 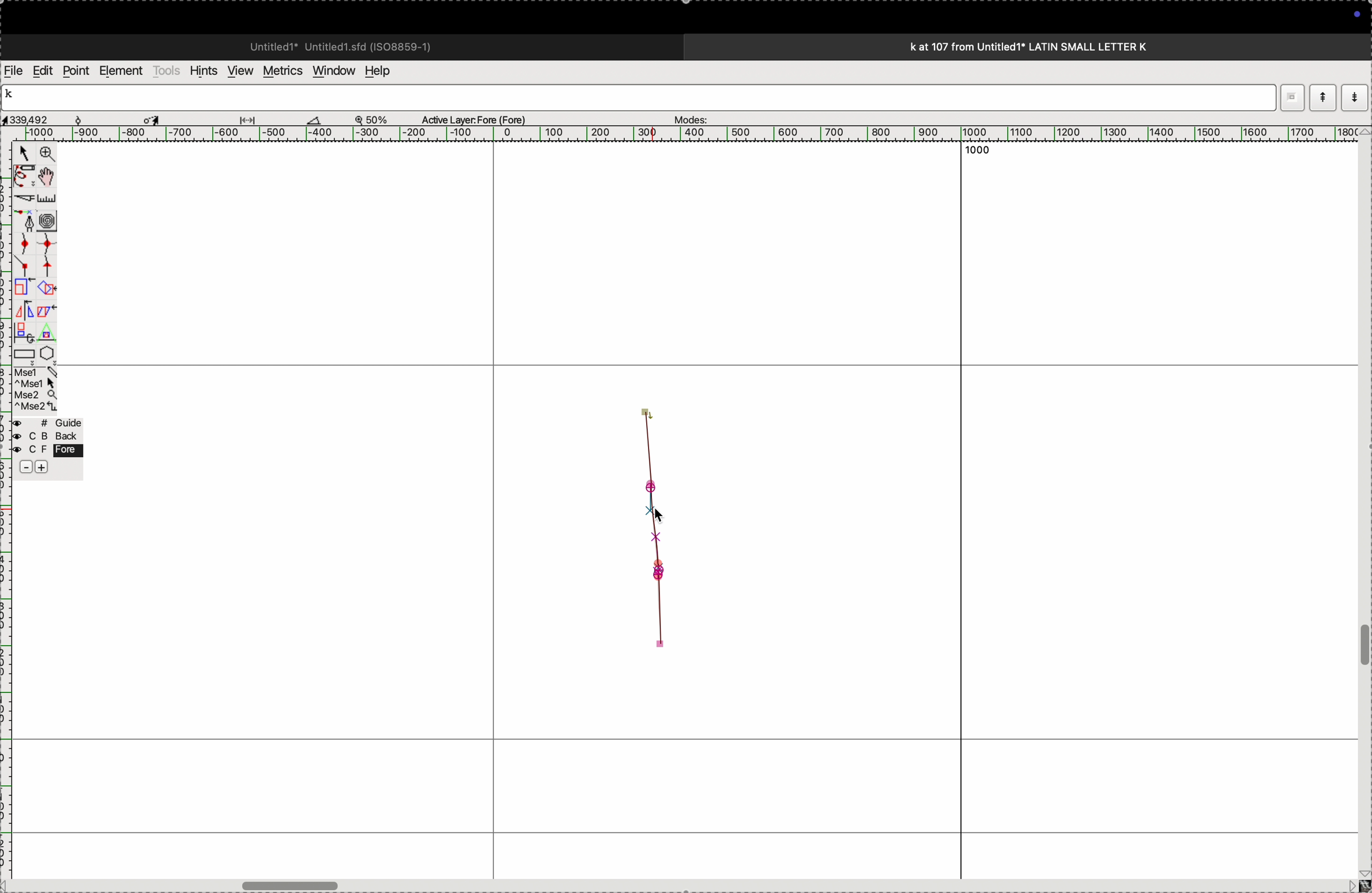 What do you see at coordinates (167, 70) in the screenshot?
I see `tools` at bounding box center [167, 70].